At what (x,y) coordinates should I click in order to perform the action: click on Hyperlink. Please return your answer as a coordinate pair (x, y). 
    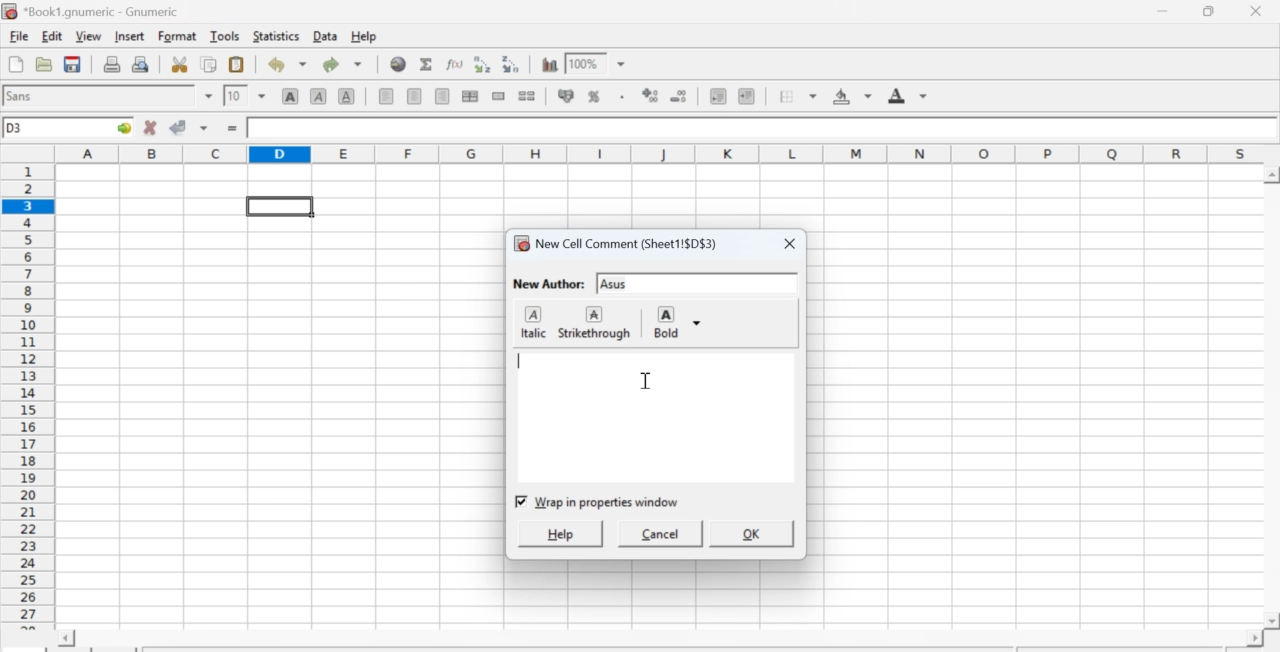
    Looking at the image, I should click on (398, 65).